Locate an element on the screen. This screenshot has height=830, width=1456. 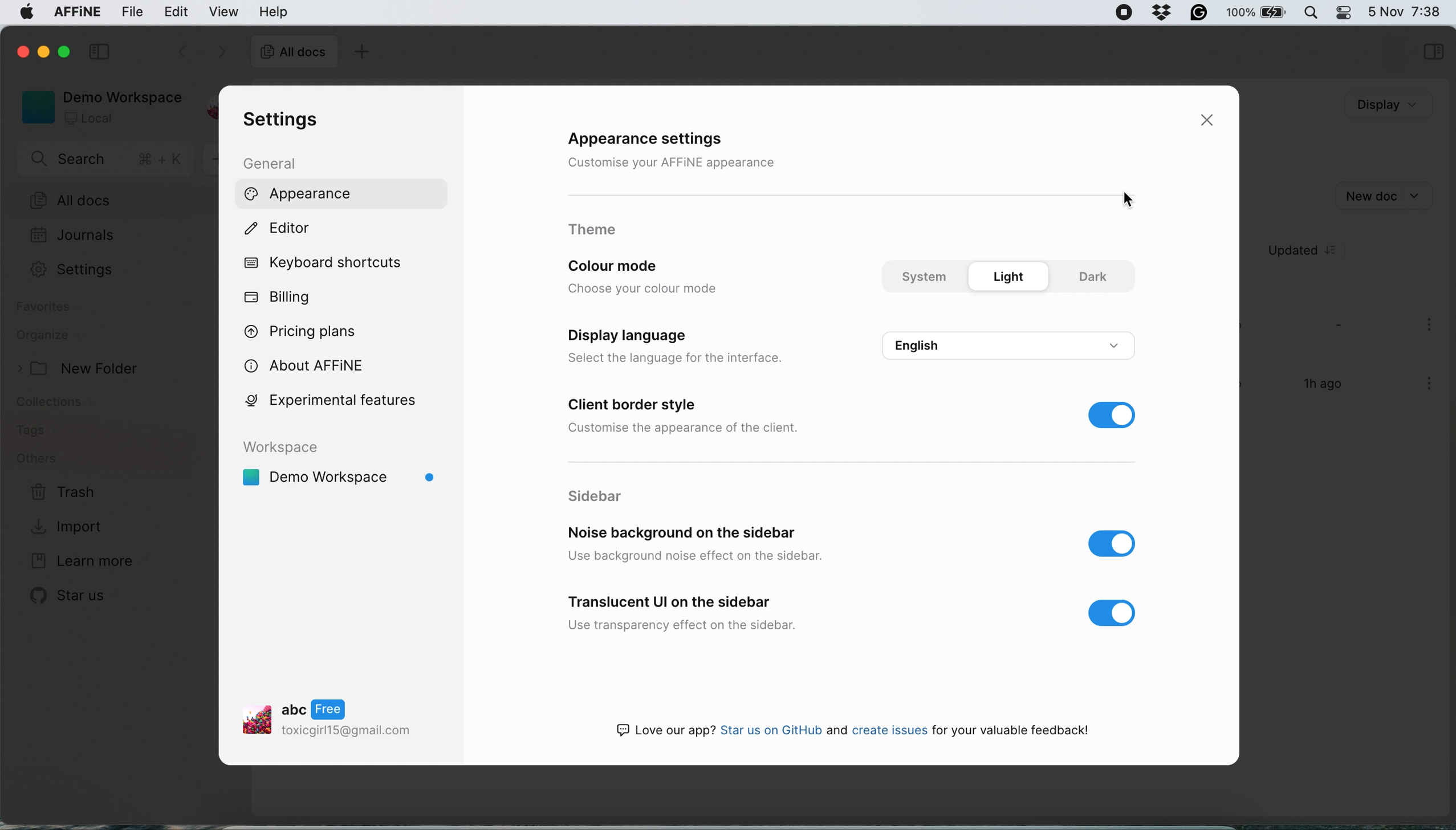
maximise is located at coordinates (66, 51).